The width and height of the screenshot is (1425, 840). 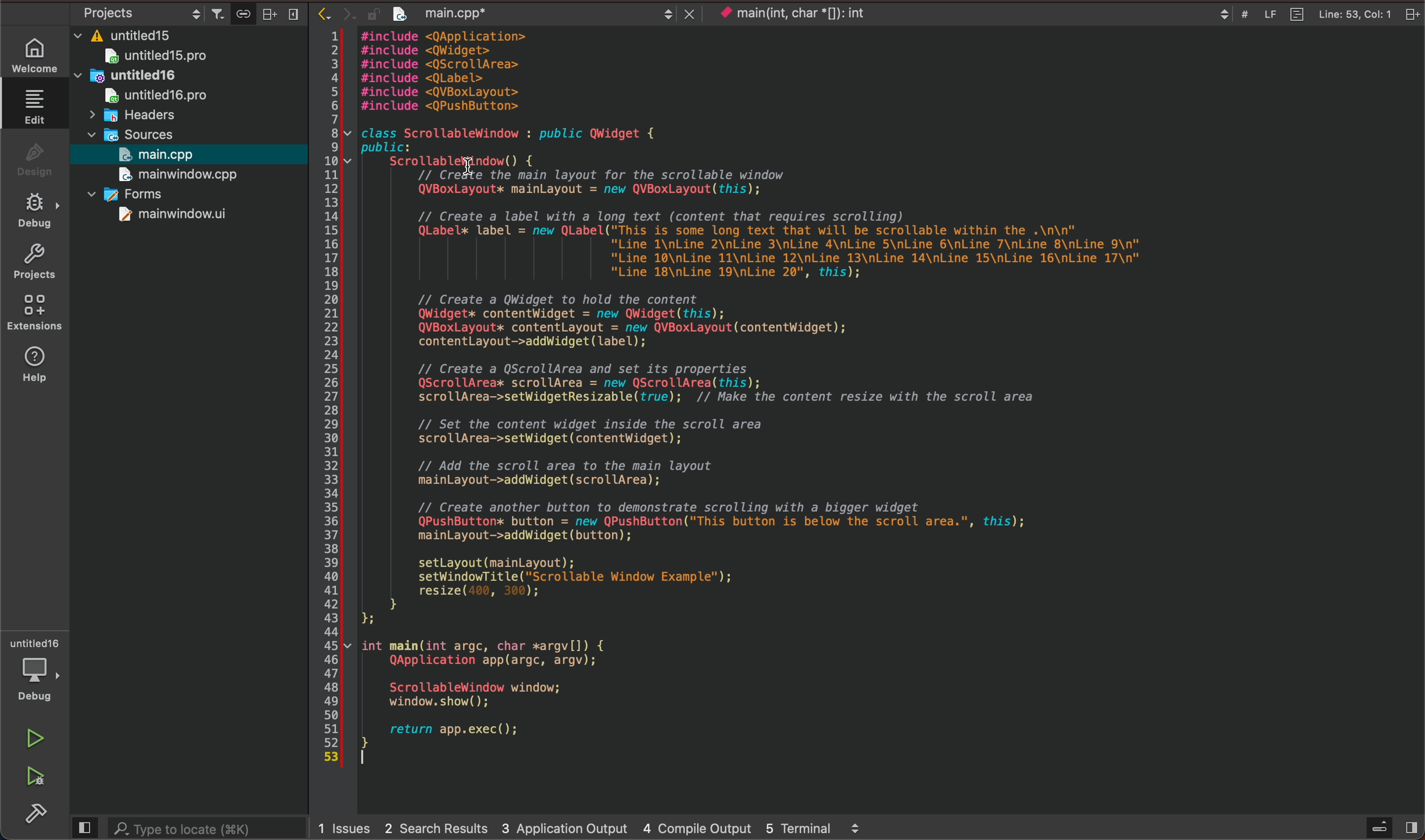 What do you see at coordinates (212, 830) in the screenshot?
I see `search` at bounding box center [212, 830].